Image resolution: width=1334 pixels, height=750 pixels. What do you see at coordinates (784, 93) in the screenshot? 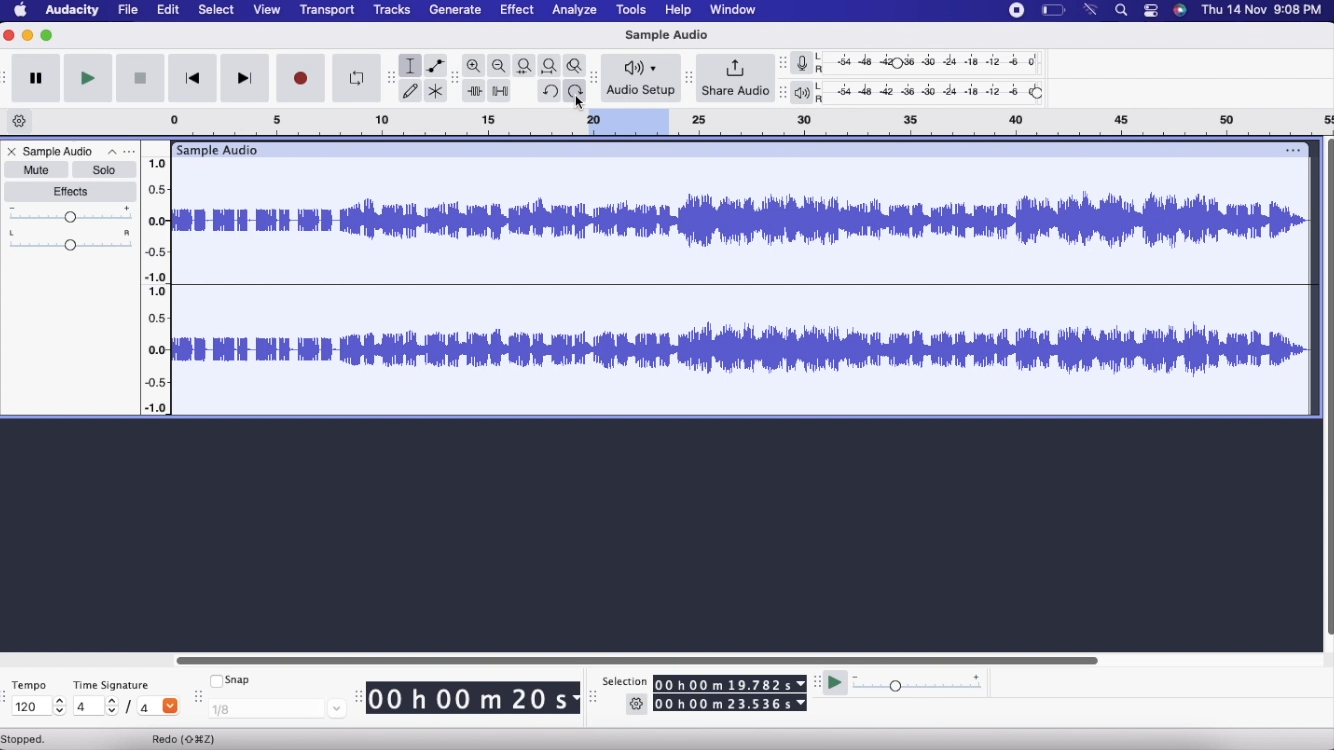
I see `move toolbar` at bounding box center [784, 93].